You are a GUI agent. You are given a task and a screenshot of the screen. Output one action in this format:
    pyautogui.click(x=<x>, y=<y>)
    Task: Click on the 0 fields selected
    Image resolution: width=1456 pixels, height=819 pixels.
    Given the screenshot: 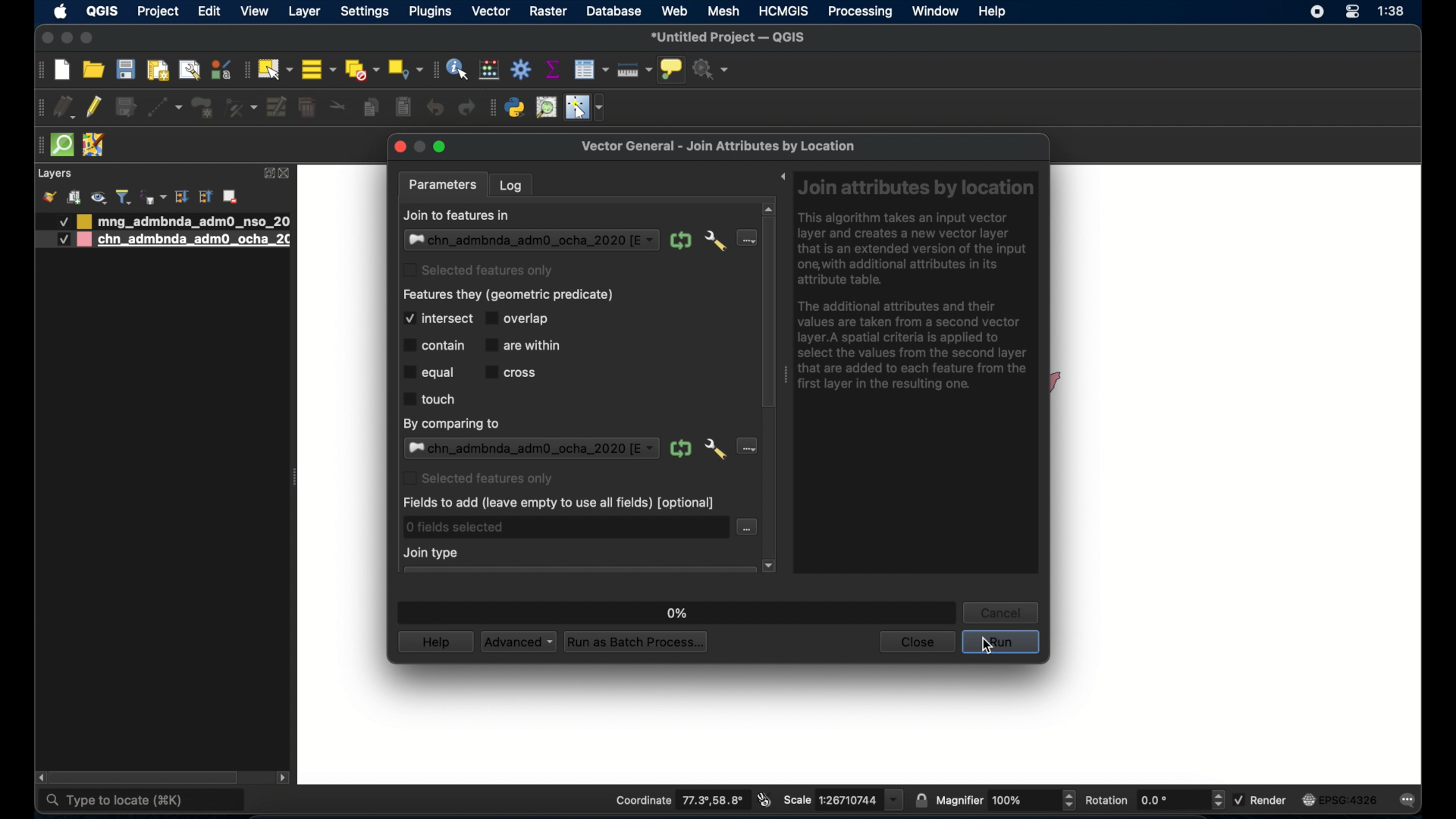 What is the action you would take?
    pyautogui.click(x=457, y=527)
    